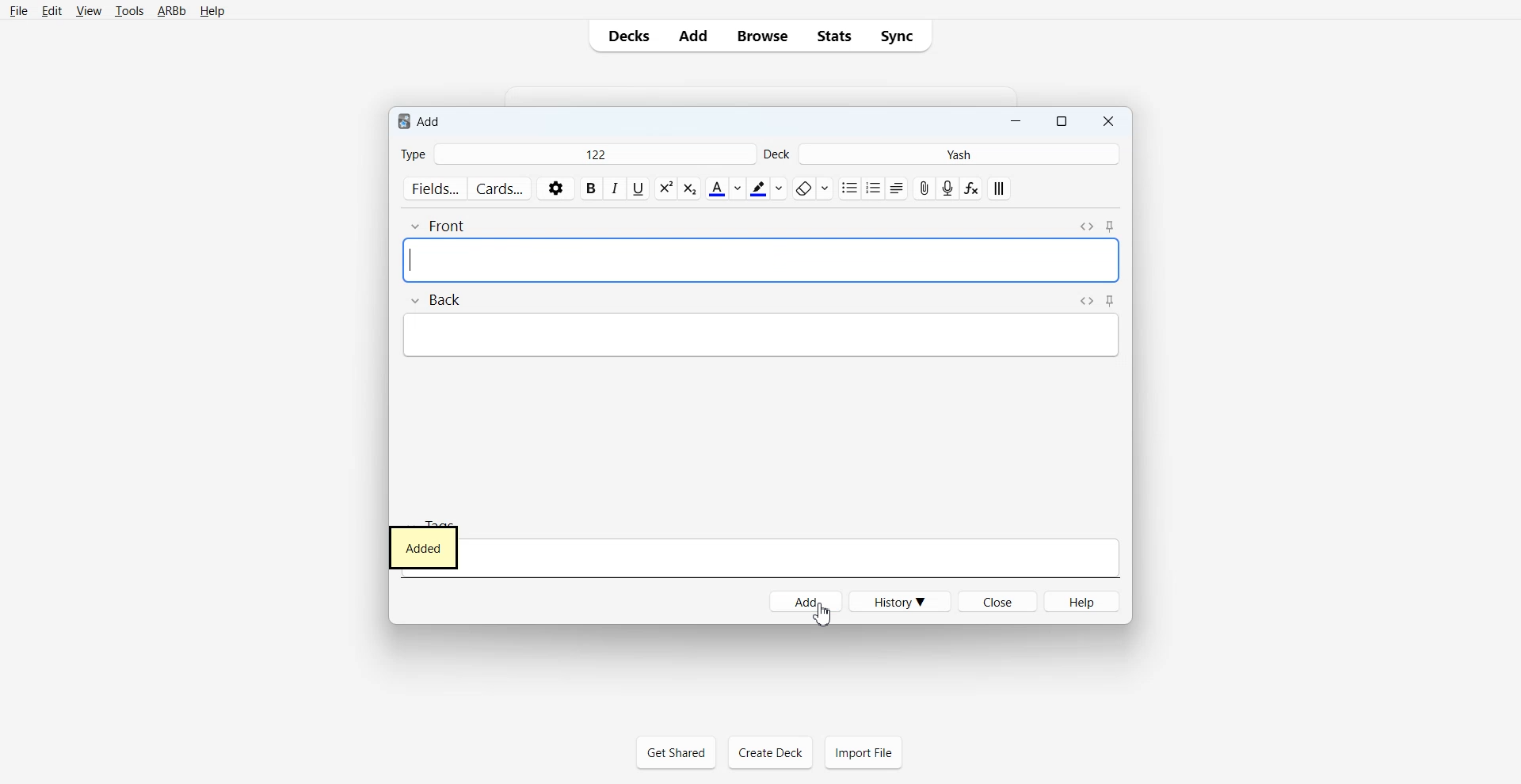 This screenshot has height=784, width=1521. I want to click on 122, so click(598, 155).